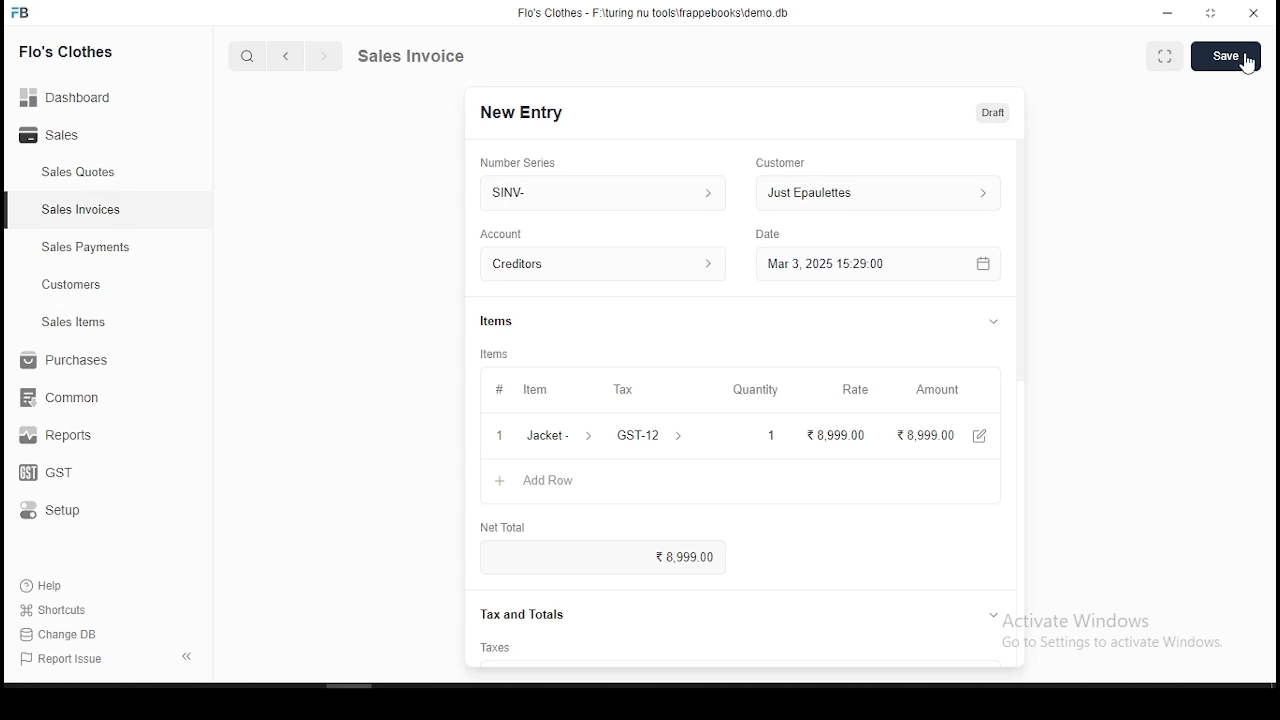 The width and height of the screenshot is (1280, 720). What do you see at coordinates (64, 362) in the screenshot?
I see `purchases` at bounding box center [64, 362].